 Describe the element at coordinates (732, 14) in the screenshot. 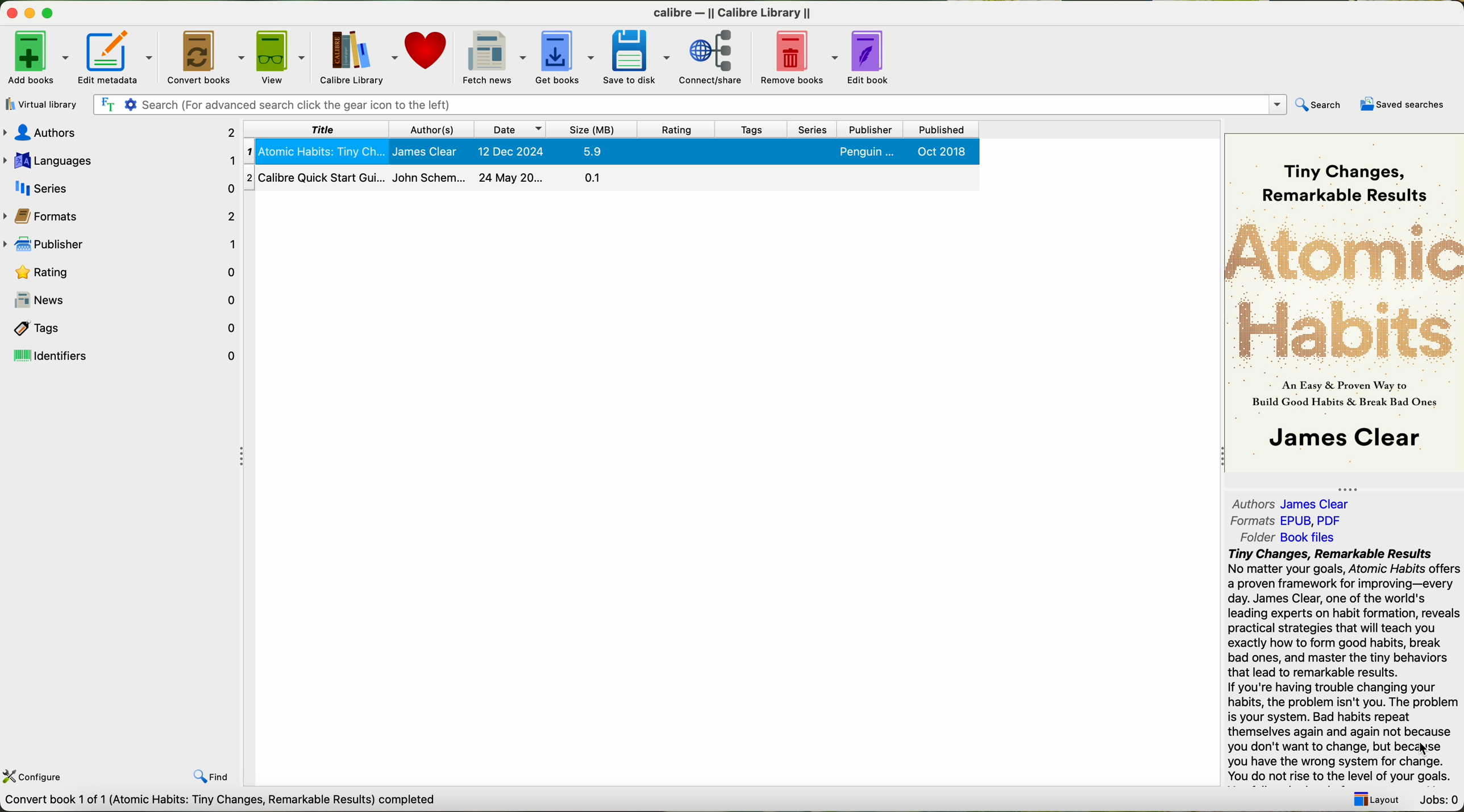

I see `calibre` at that location.